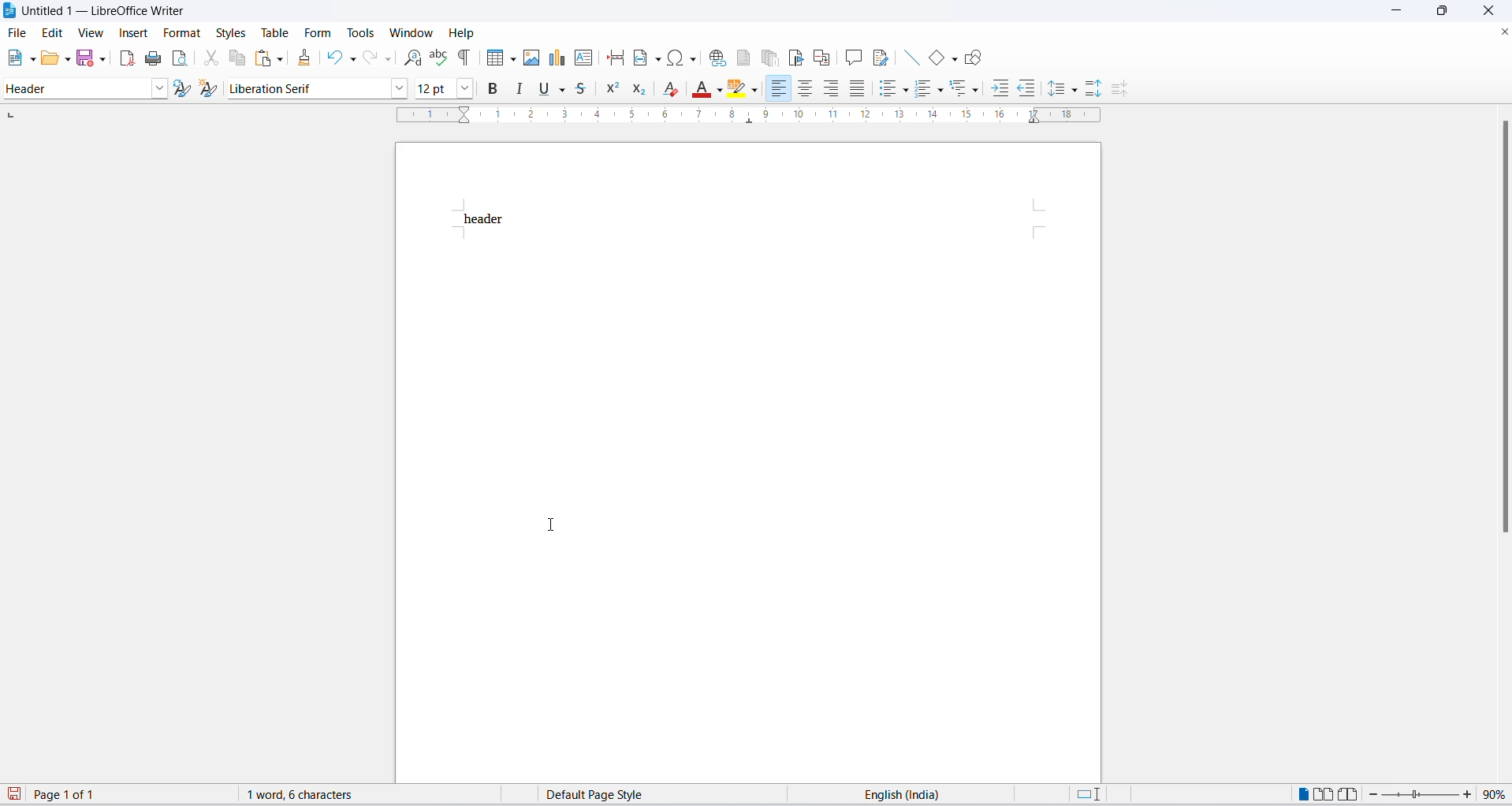  I want to click on copy, so click(236, 58).